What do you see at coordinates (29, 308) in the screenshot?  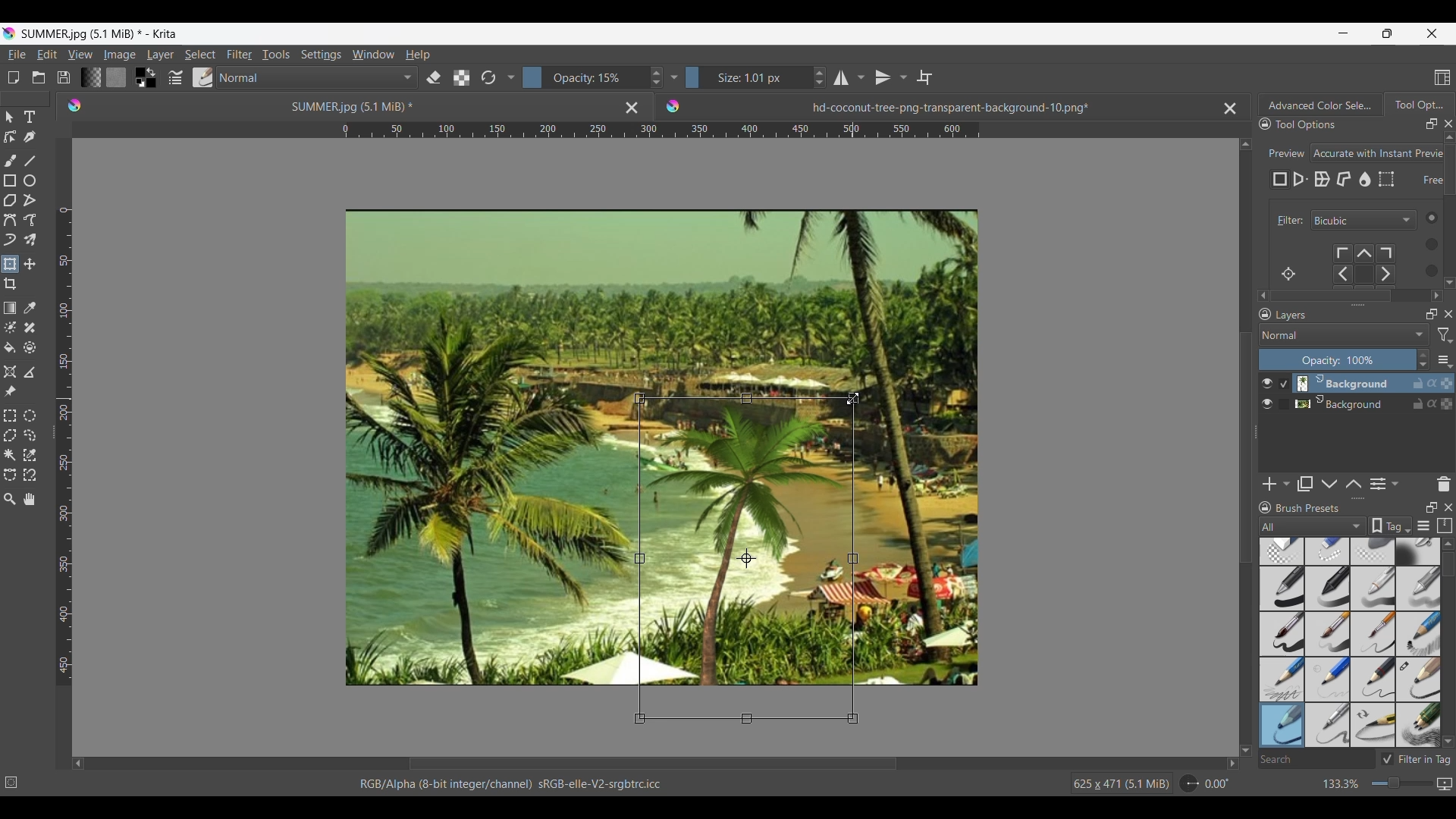 I see `Color picker tool` at bounding box center [29, 308].